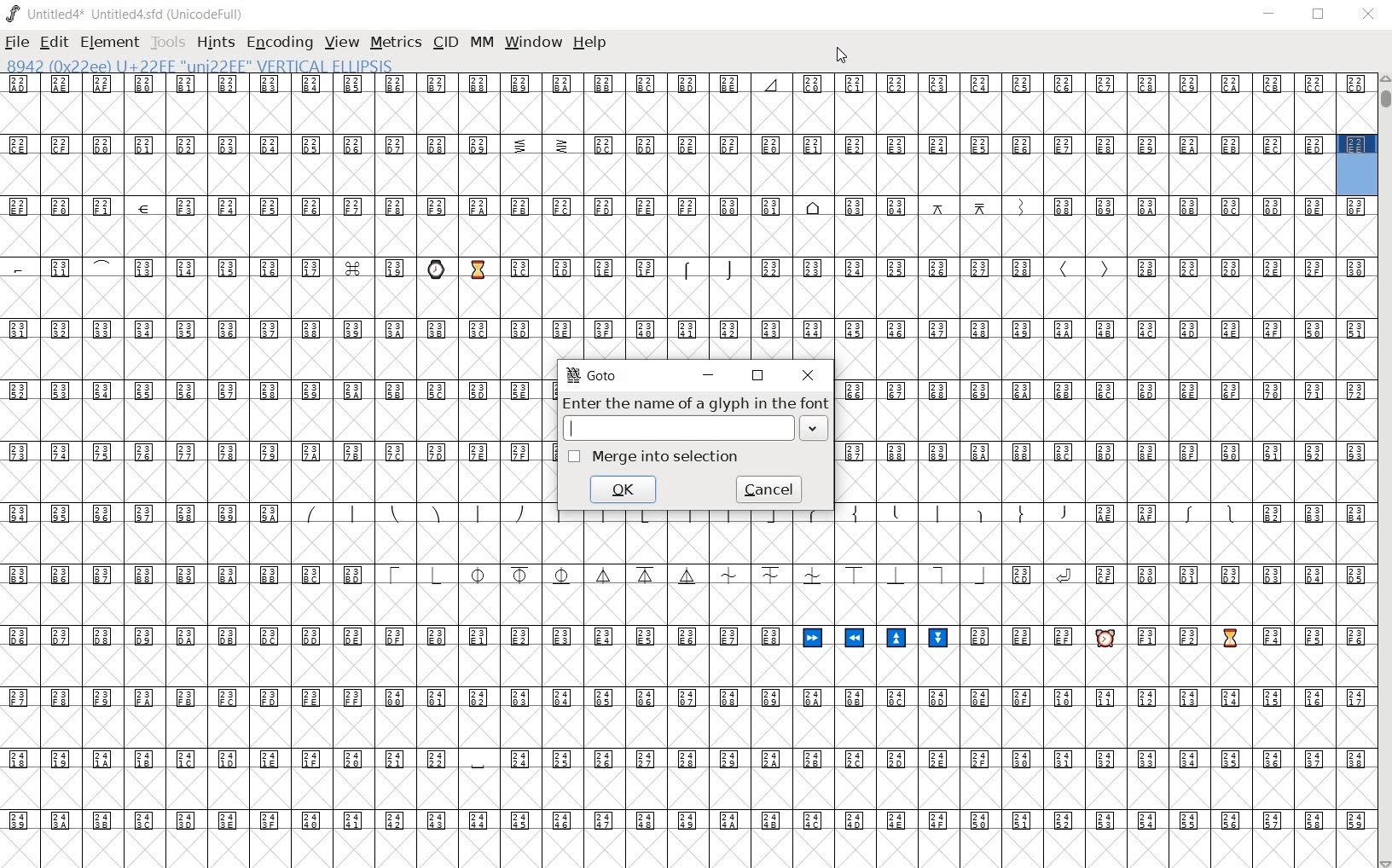 The width and height of the screenshot is (1392, 868). Describe the element at coordinates (536, 42) in the screenshot. I see `WINDOW` at that location.